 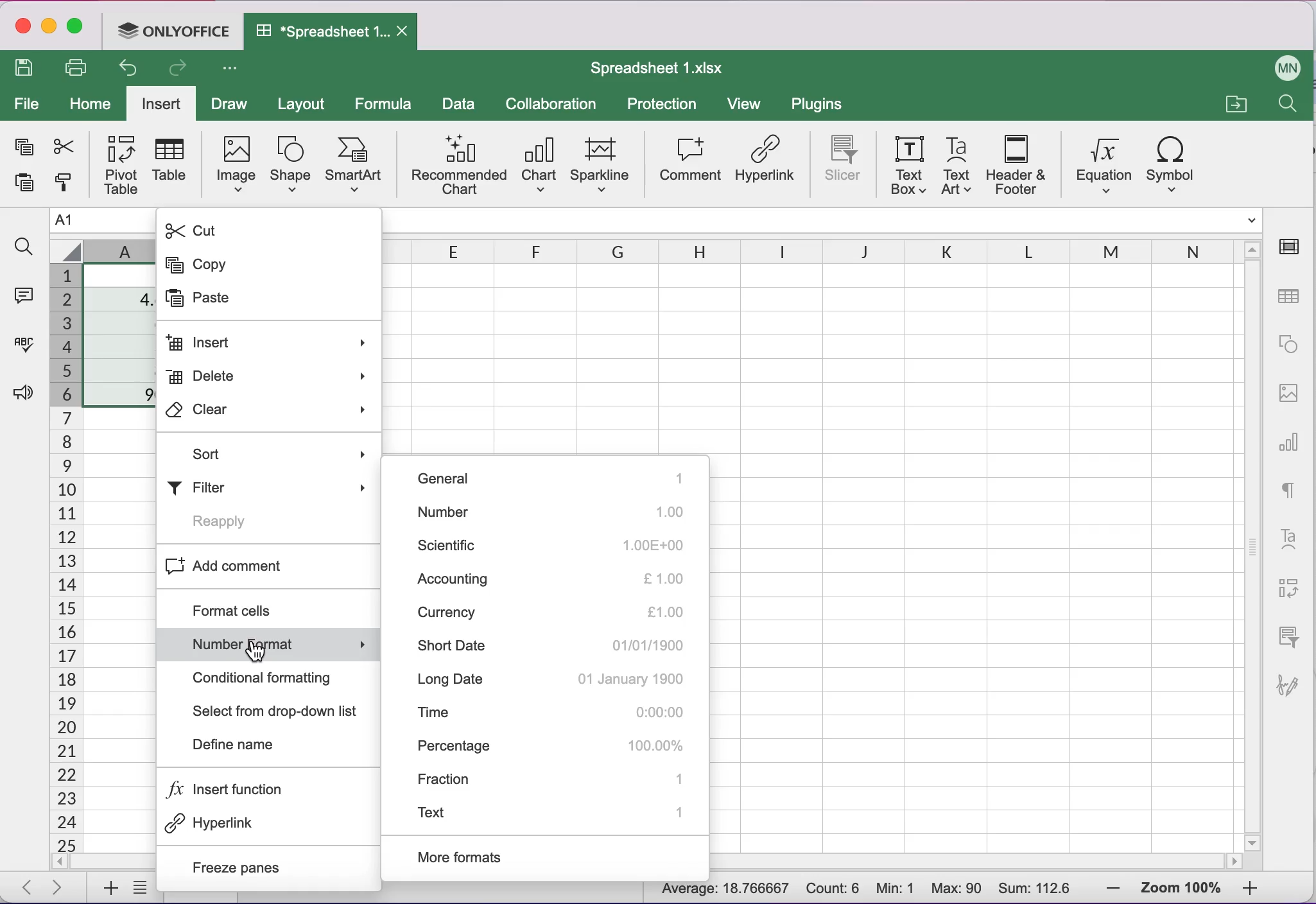 What do you see at coordinates (231, 265) in the screenshot?
I see `Copy` at bounding box center [231, 265].